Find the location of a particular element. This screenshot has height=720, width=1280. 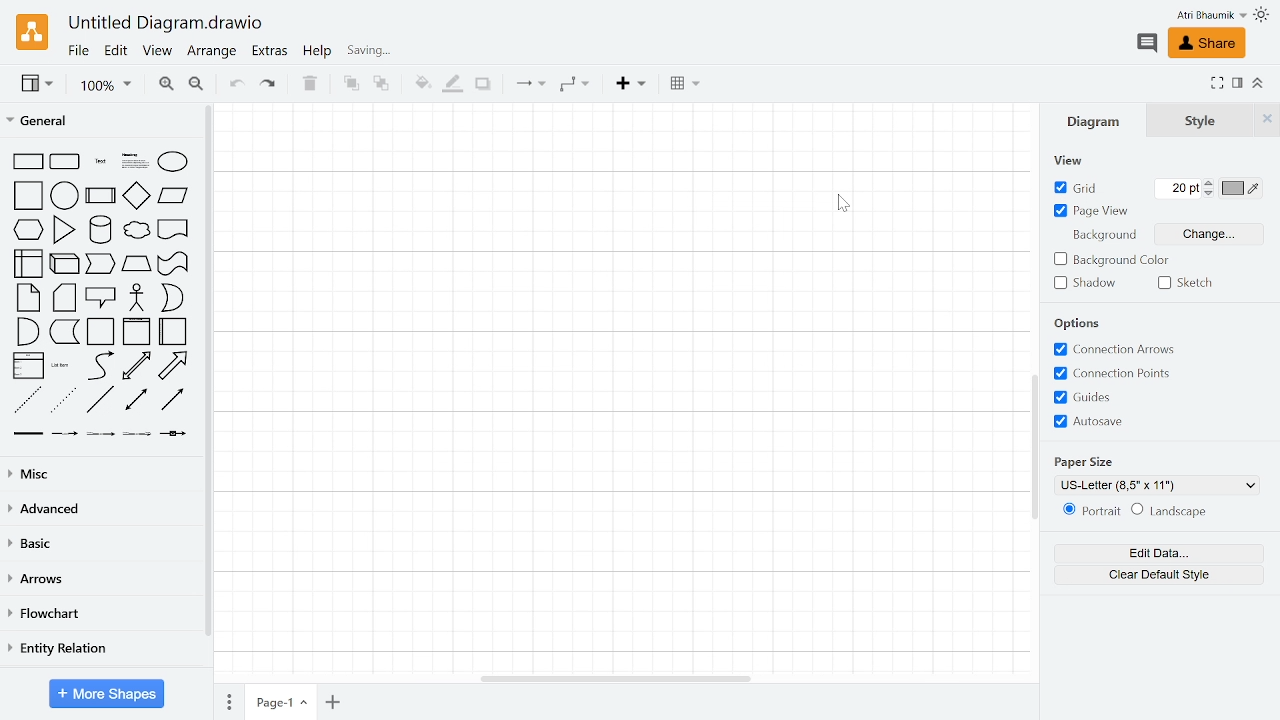

Background is located at coordinates (1107, 237).